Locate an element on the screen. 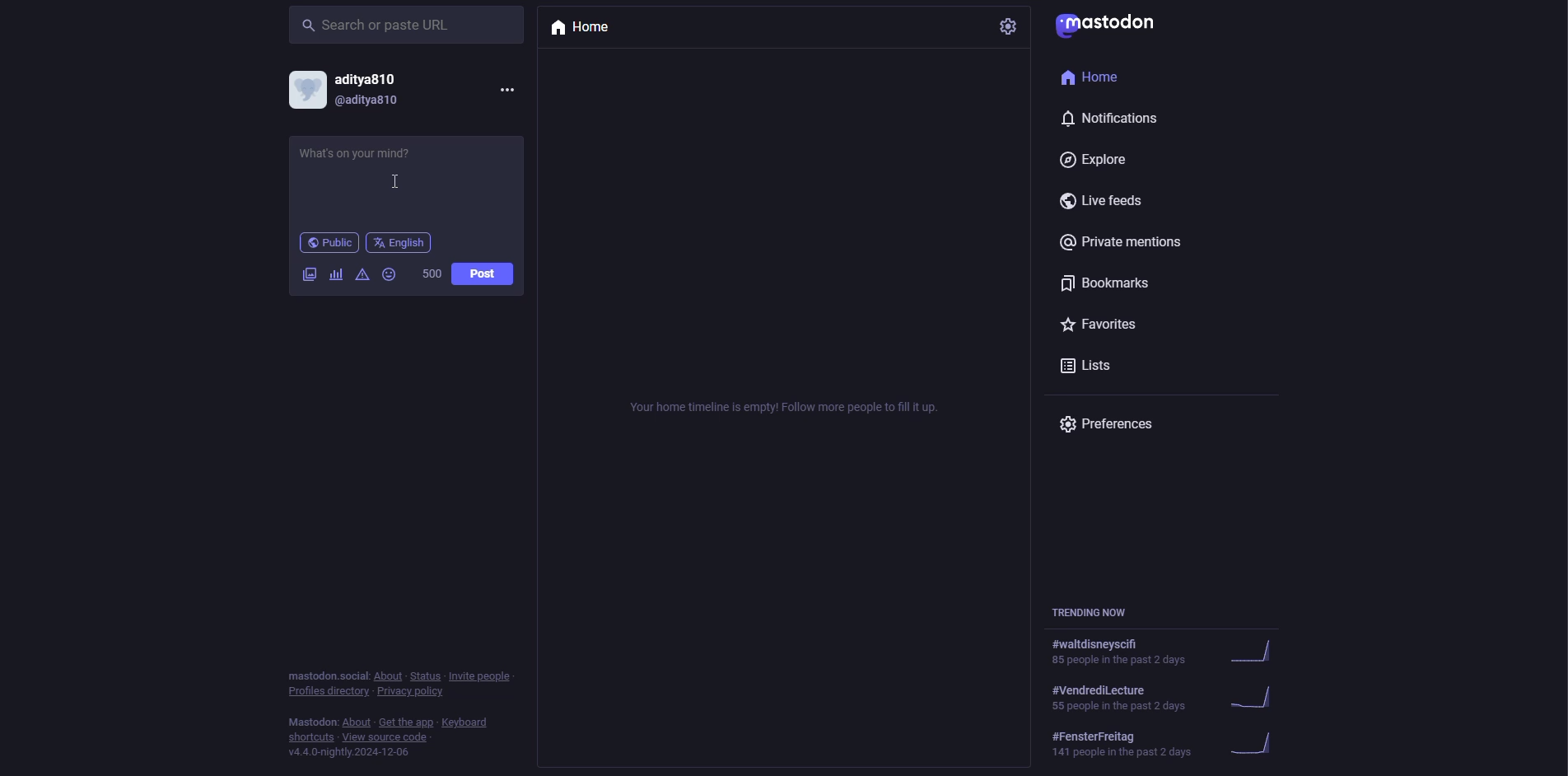 This screenshot has height=776, width=1568. trending now is located at coordinates (1171, 742).